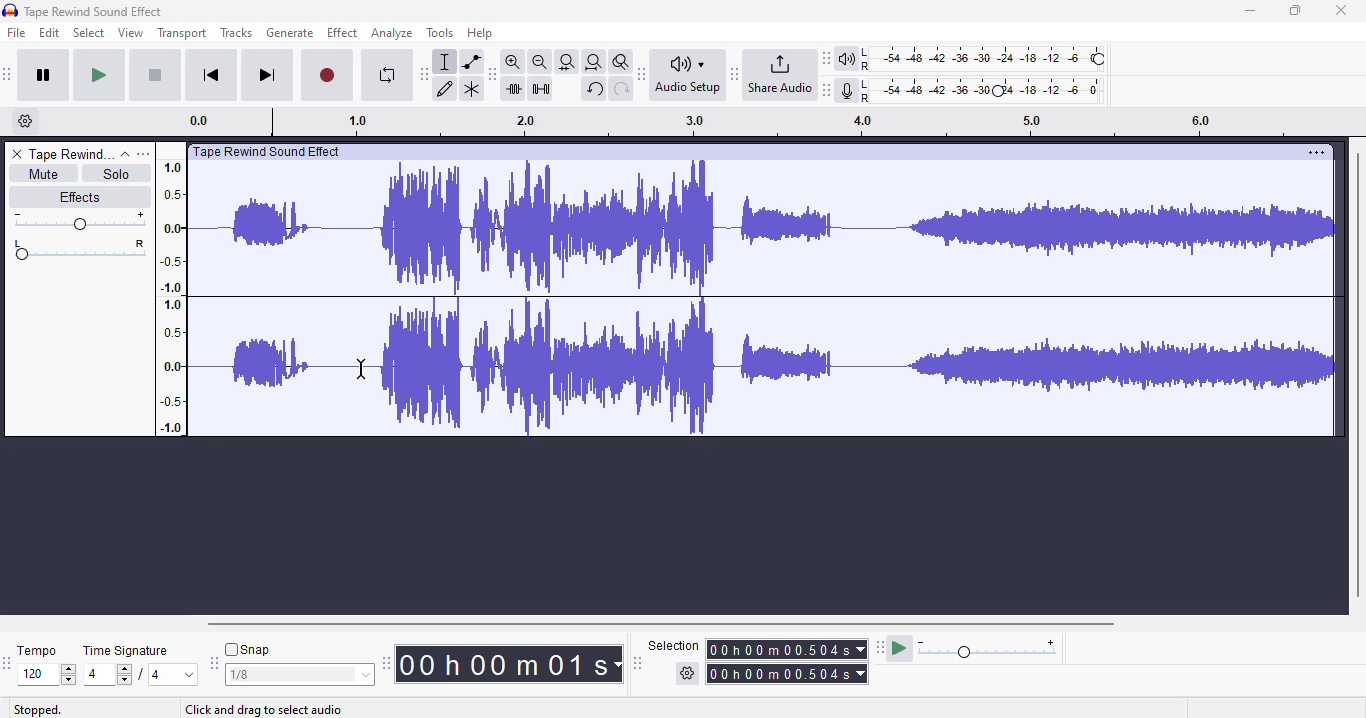 The width and height of the screenshot is (1366, 718). What do you see at coordinates (79, 196) in the screenshot?
I see `effects` at bounding box center [79, 196].